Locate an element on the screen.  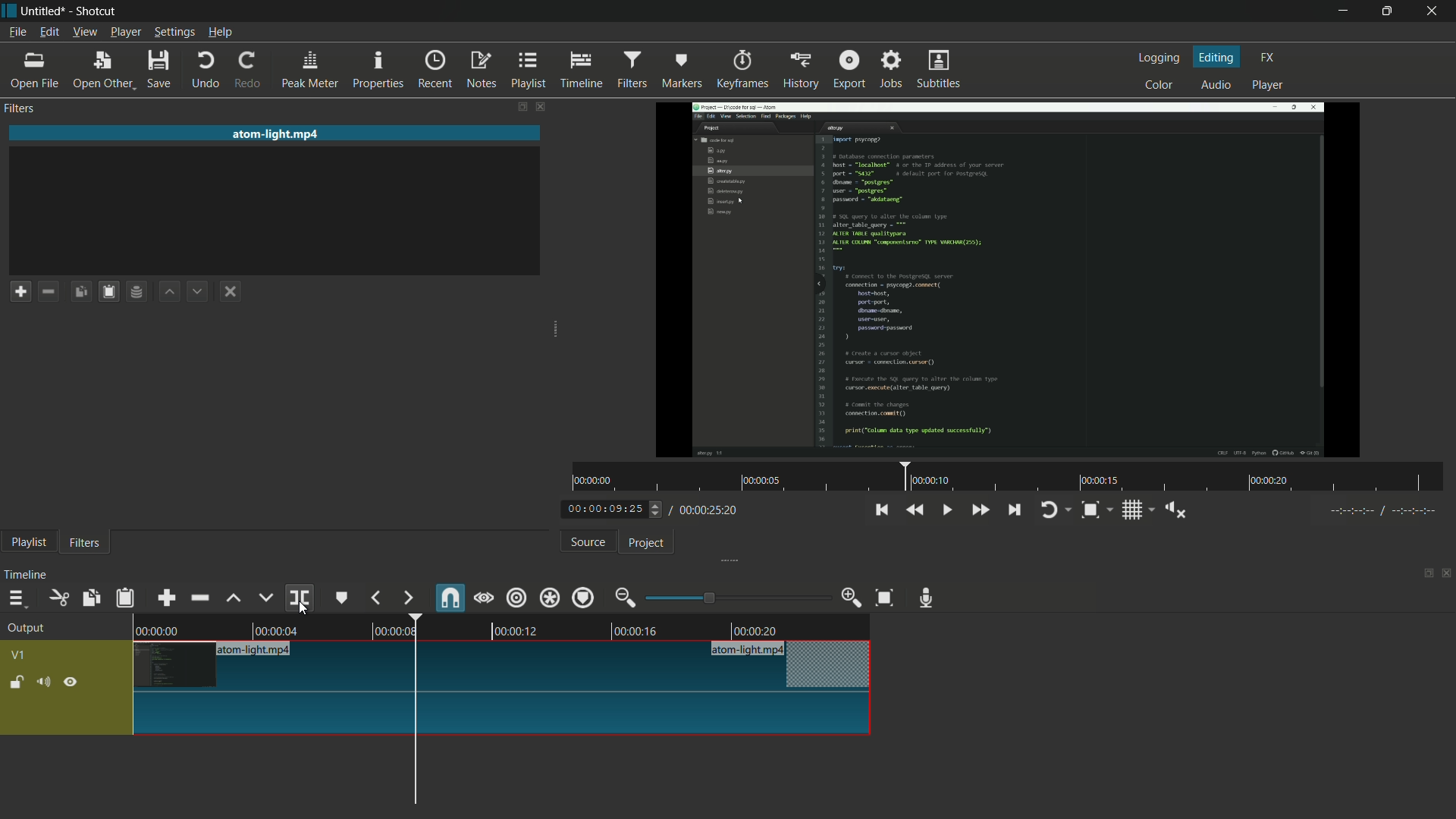
create or edit marker is located at coordinates (342, 599).